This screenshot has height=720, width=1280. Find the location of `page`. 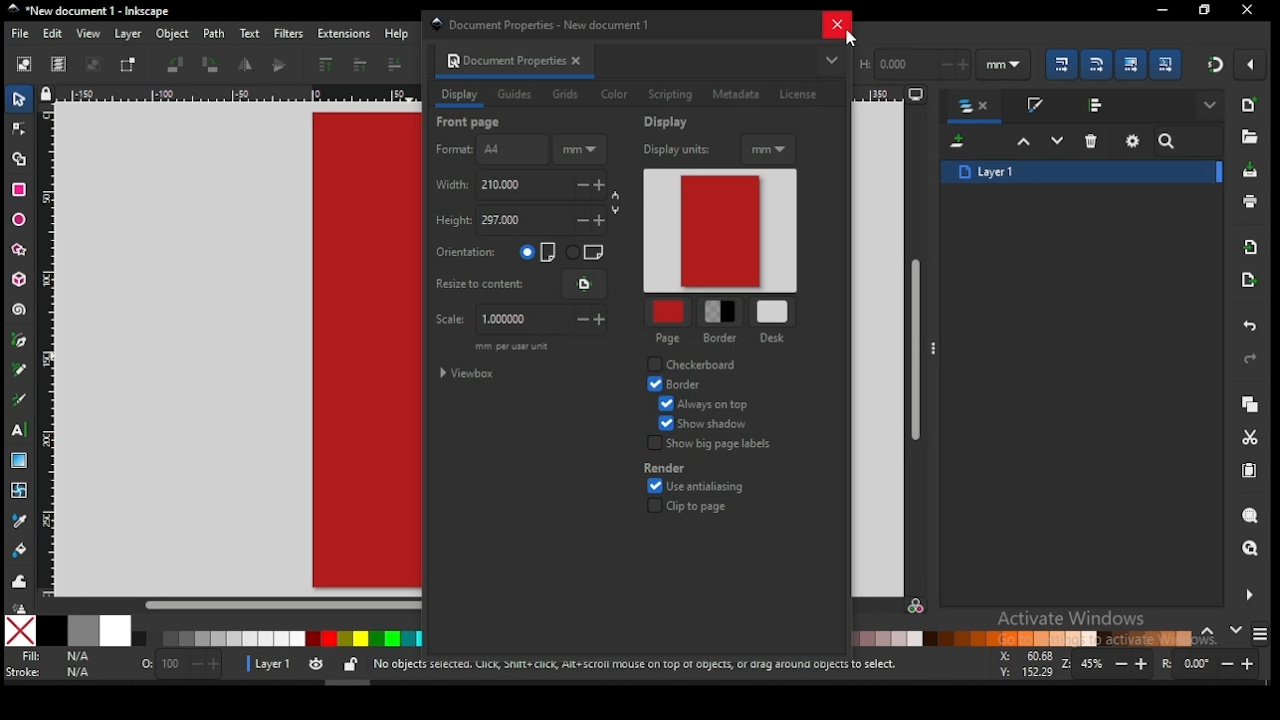

page is located at coordinates (667, 313).